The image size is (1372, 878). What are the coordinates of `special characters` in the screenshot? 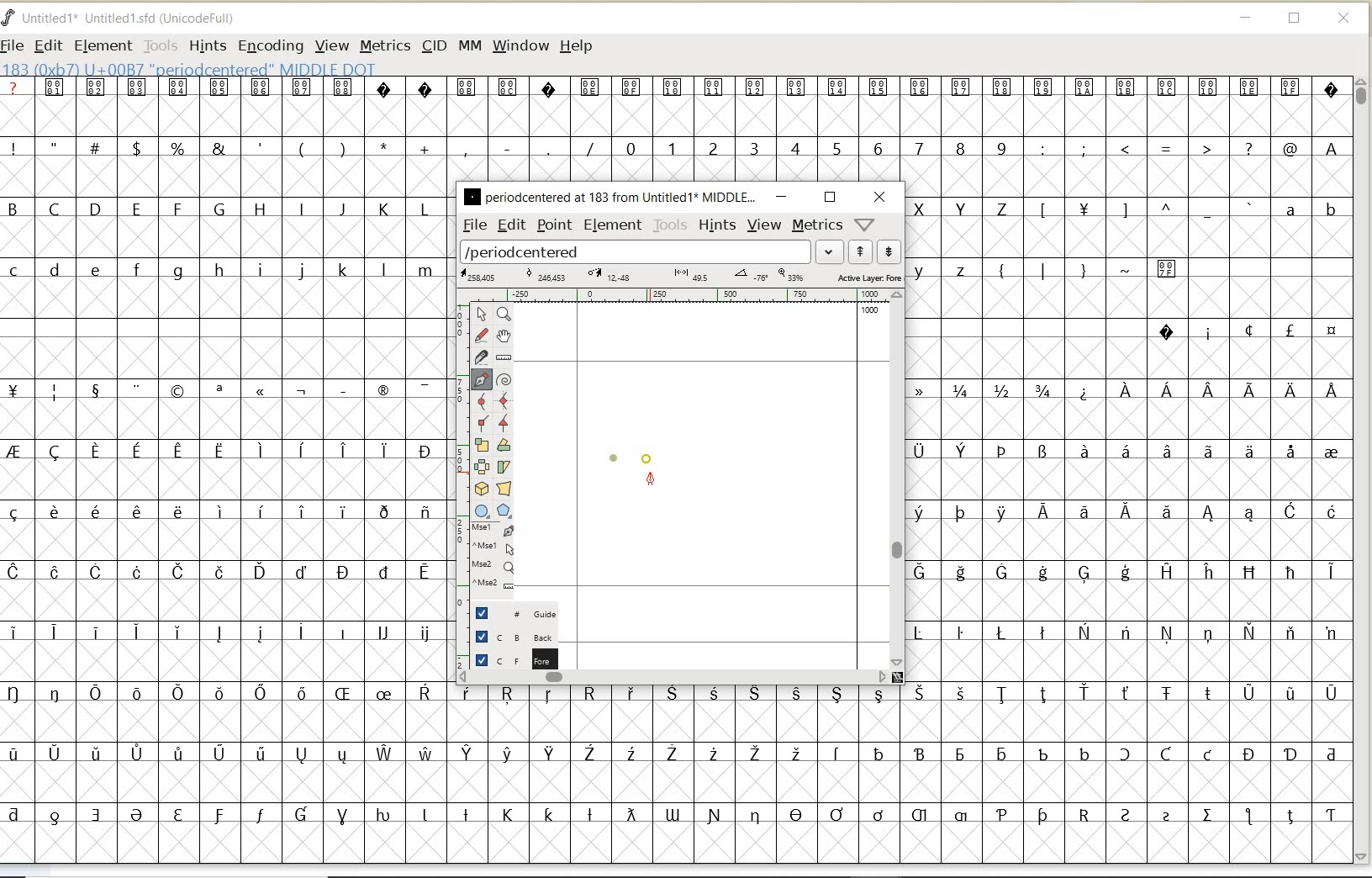 It's located at (1193, 149).